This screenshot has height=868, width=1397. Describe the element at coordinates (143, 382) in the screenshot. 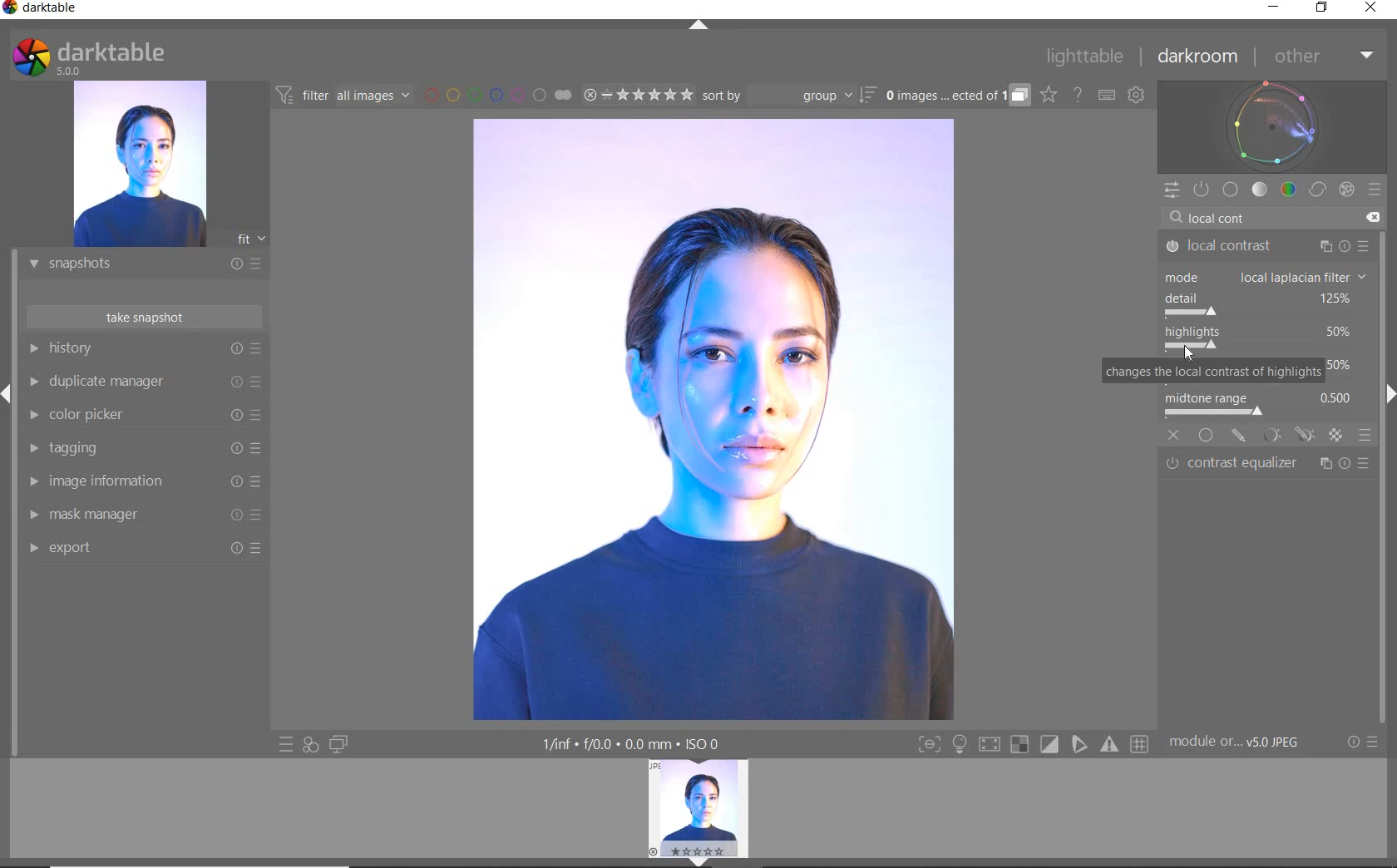

I see `DUPLICATE MANAGER` at that location.